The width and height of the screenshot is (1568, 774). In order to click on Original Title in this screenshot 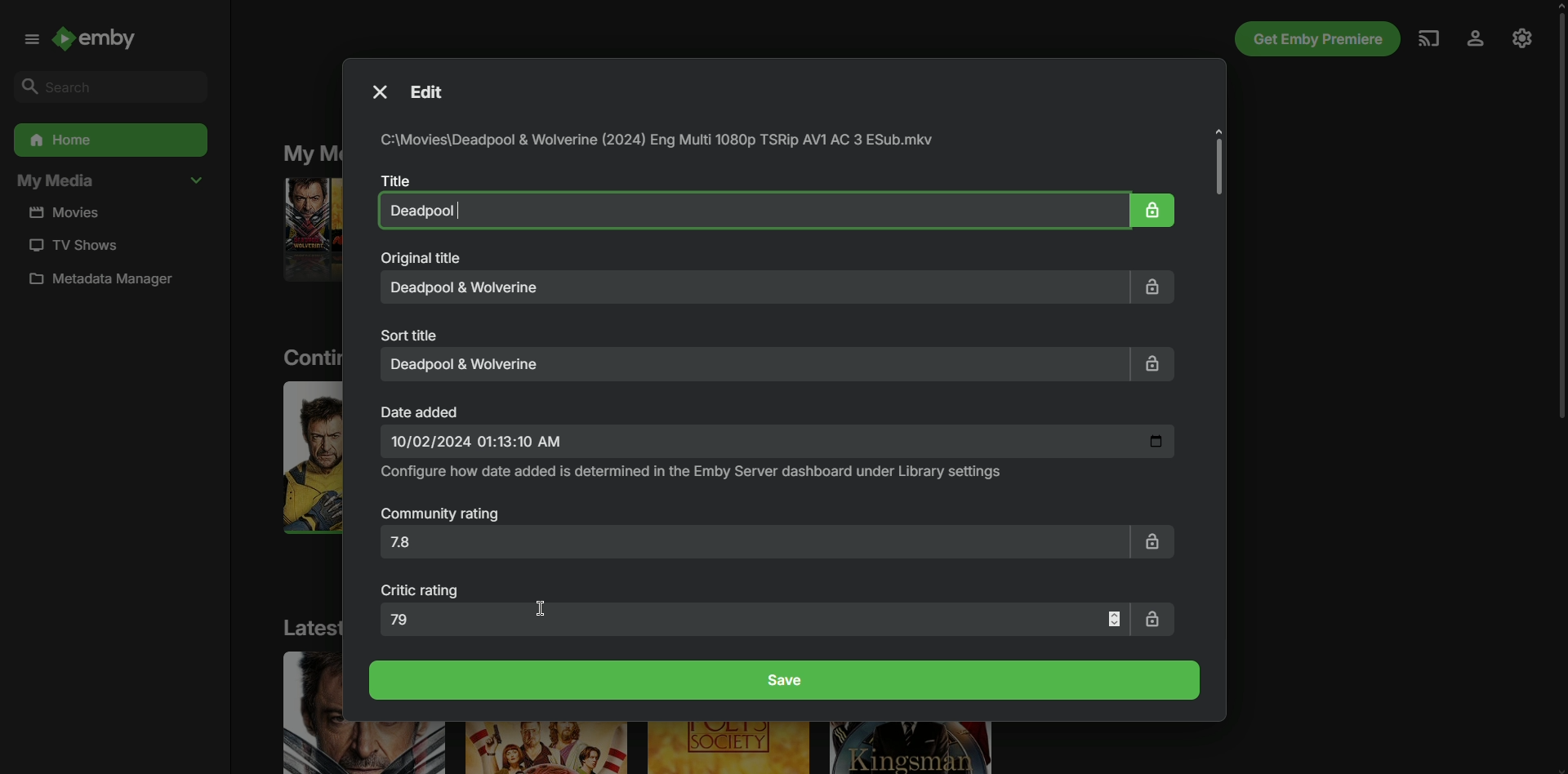, I will do `click(420, 258)`.